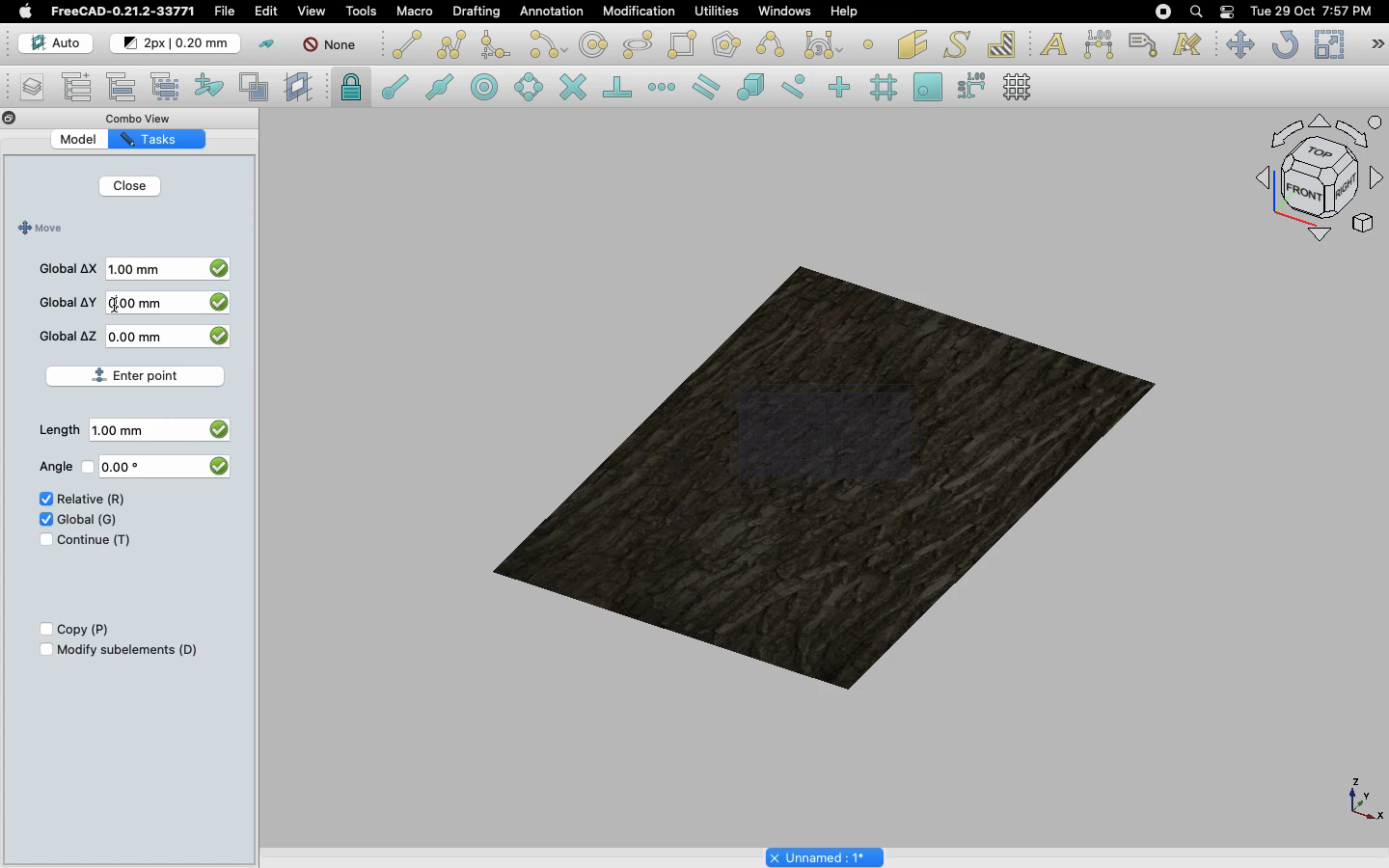 This screenshot has width=1389, height=868. What do you see at coordinates (167, 85) in the screenshot?
I see `Select group` at bounding box center [167, 85].